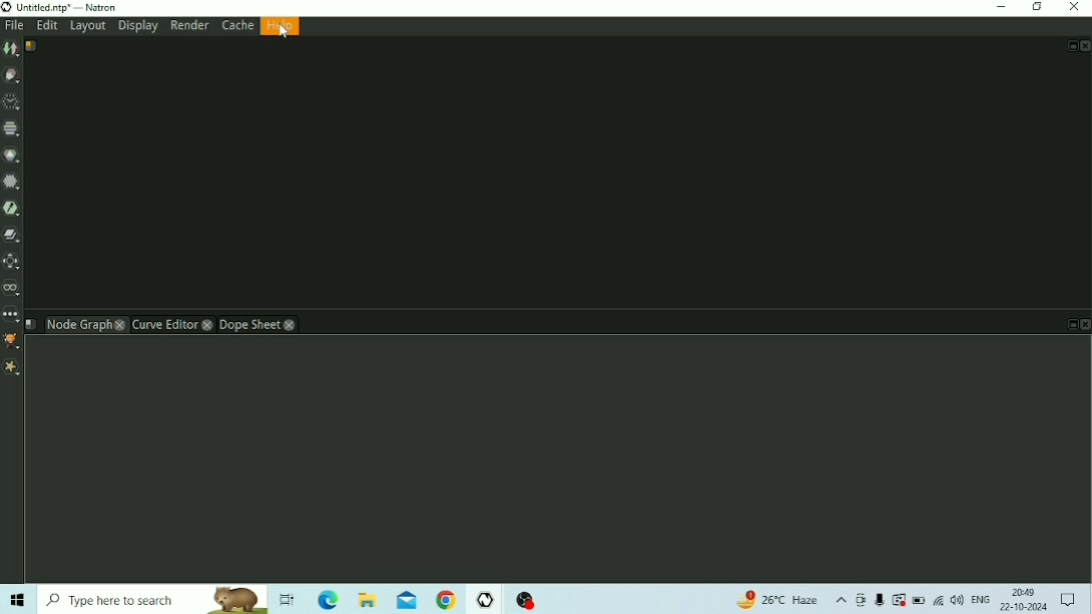 This screenshot has height=614, width=1092. Describe the element at coordinates (1024, 592) in the screenshot. I see `Time` at that location.